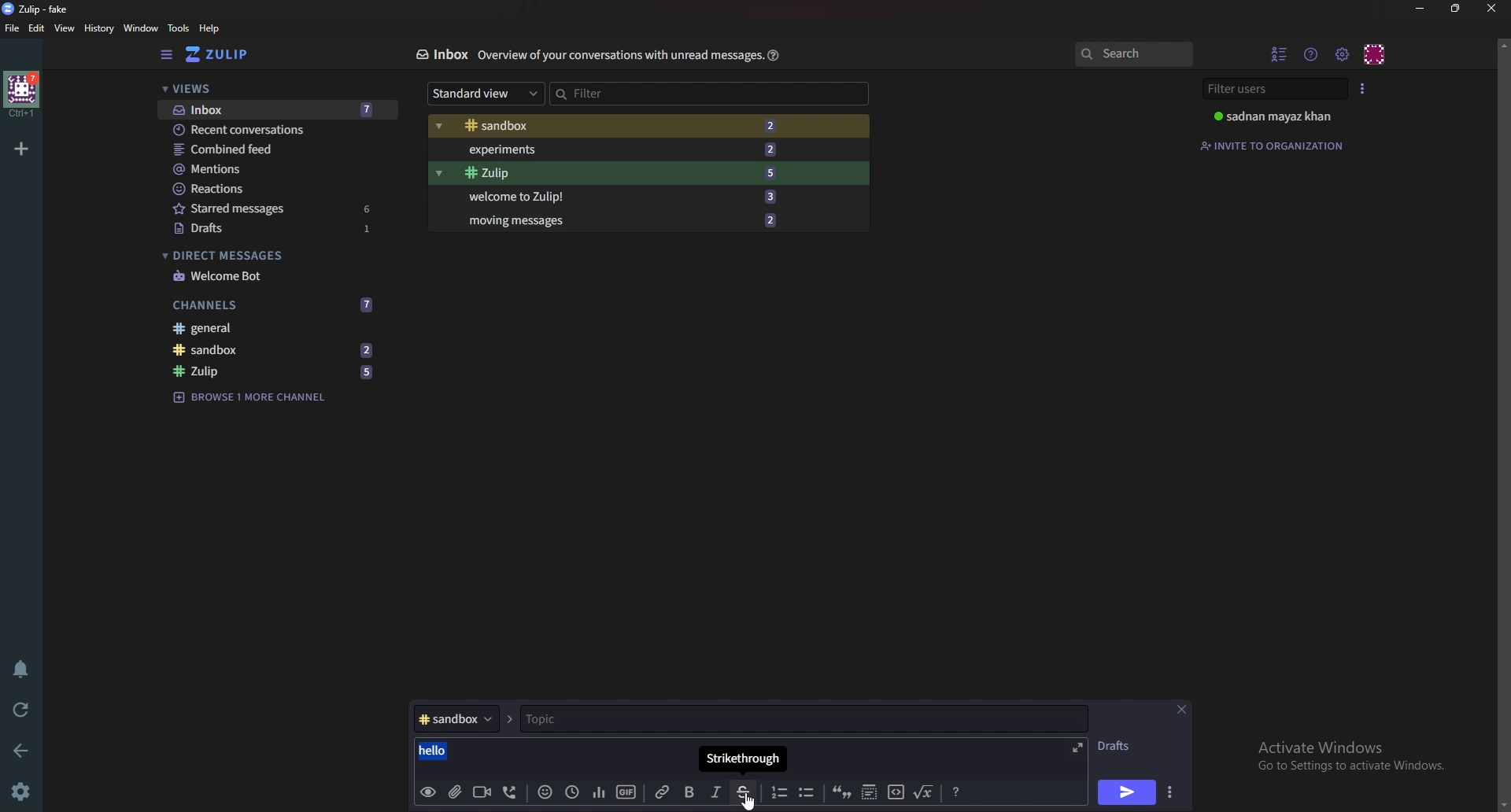 The width and height of the screenshot is (1511, 812). Describe the element at coordinates (1181, 708) in the screenshot. I see `close message` at that location.